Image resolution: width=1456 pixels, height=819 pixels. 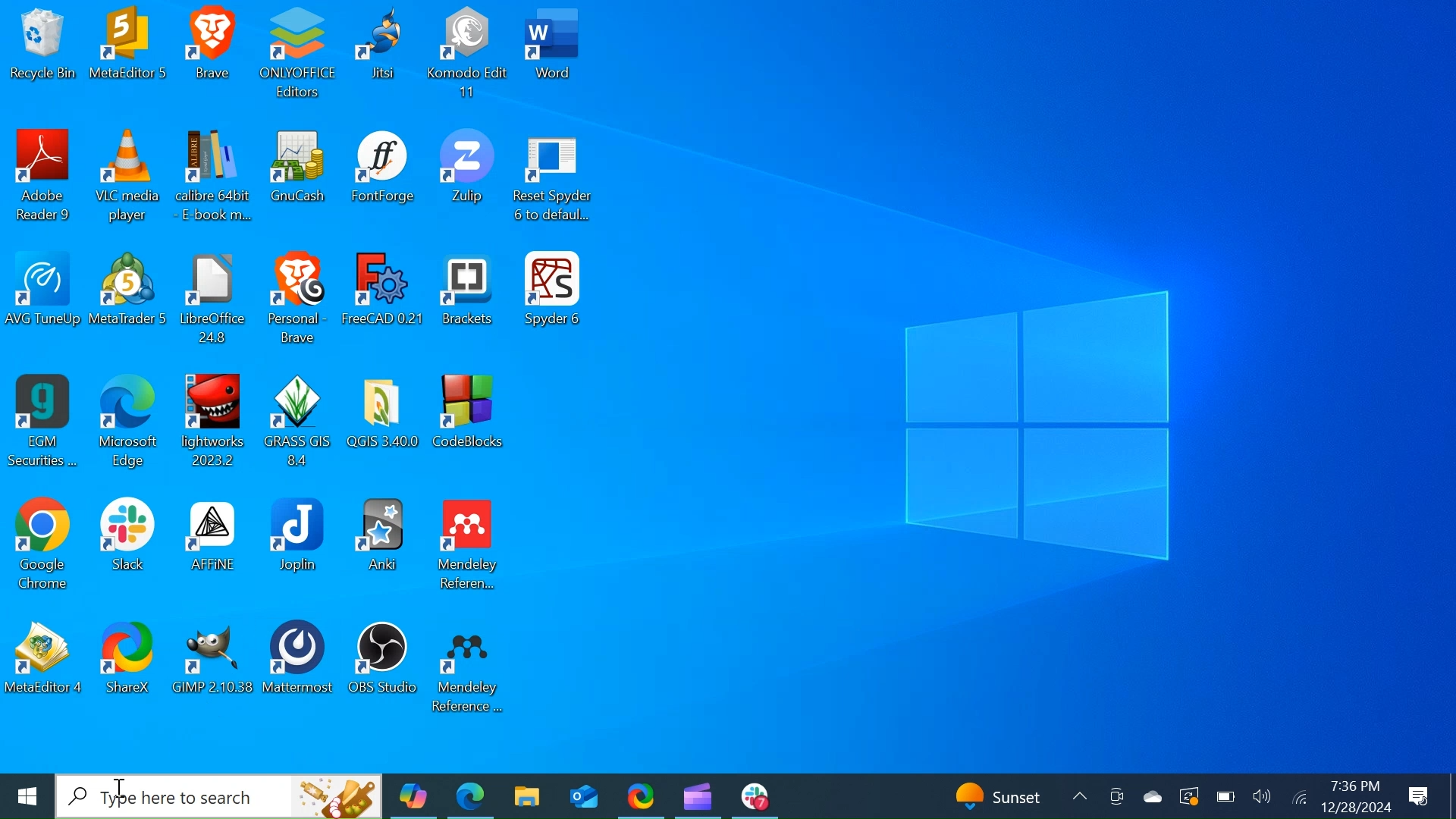 What do you see at coordinates (755, 796) in the screenshot?
I see `Slack` at bounding box center [755, 796].